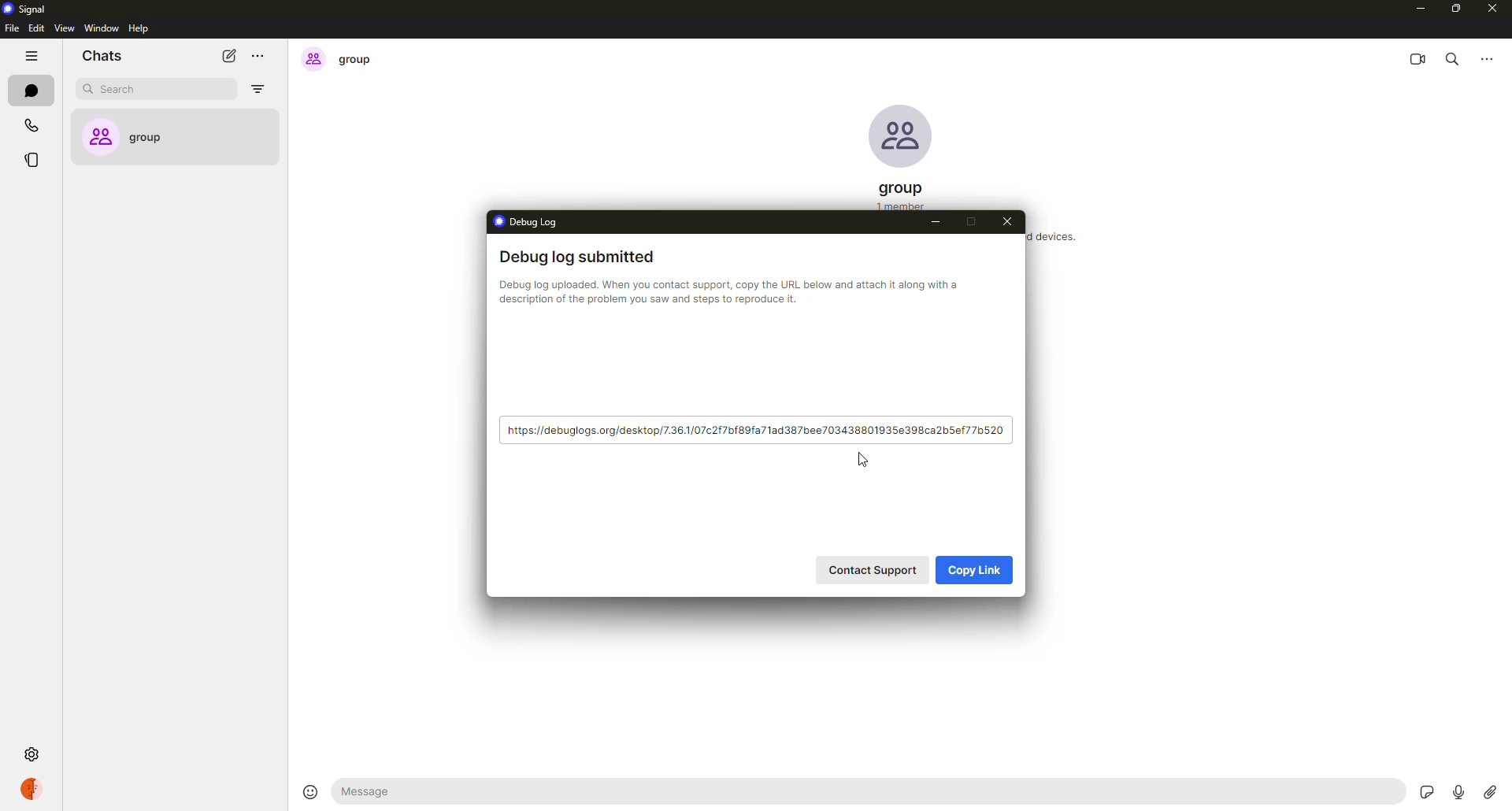  Describe the element at coordinates (31, 754) in the screenshot. I see `settings` at that location.